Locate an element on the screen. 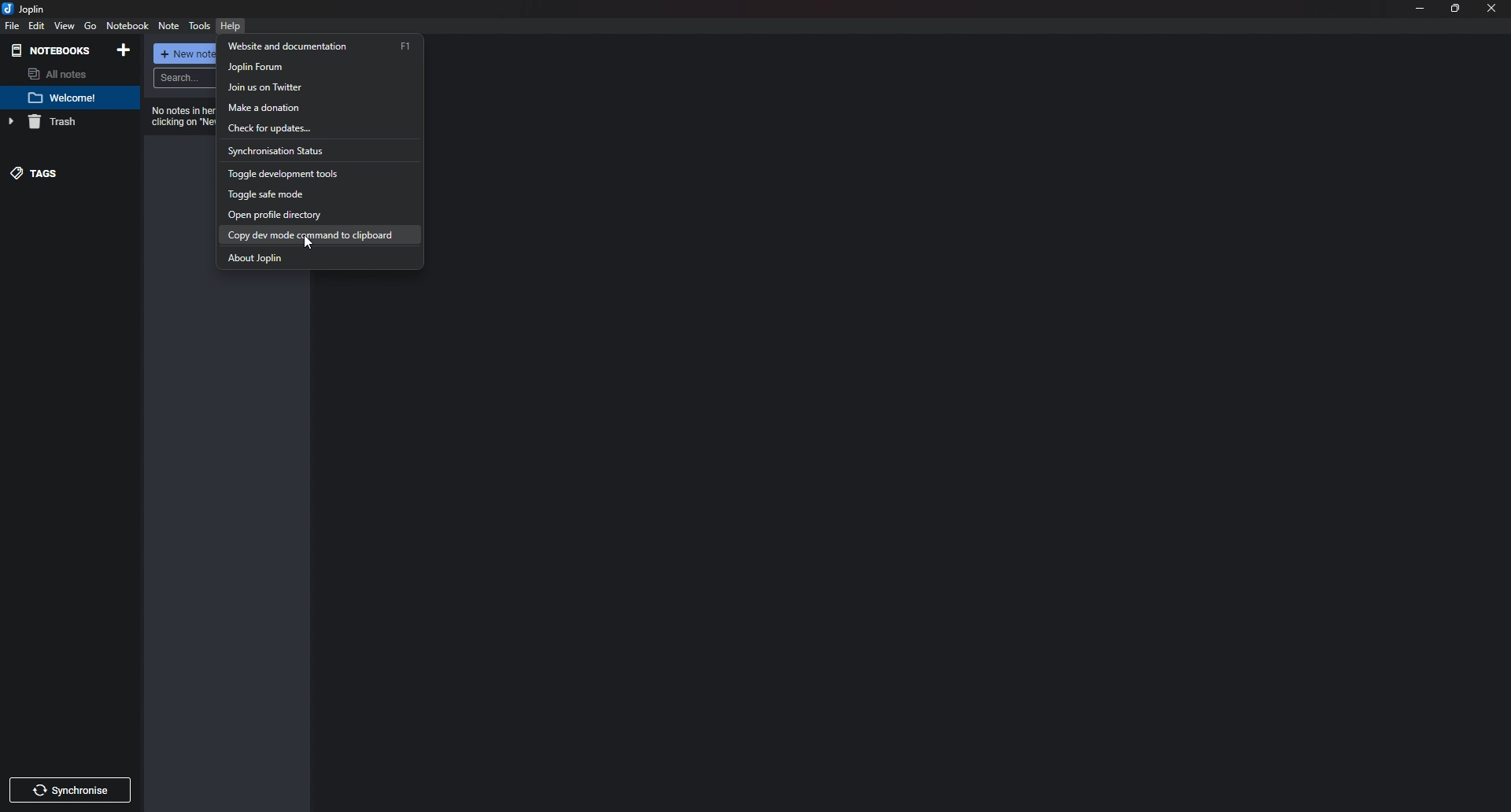 This screenshot has height=812, width=1511. edit is located at coordinates (36, 25).